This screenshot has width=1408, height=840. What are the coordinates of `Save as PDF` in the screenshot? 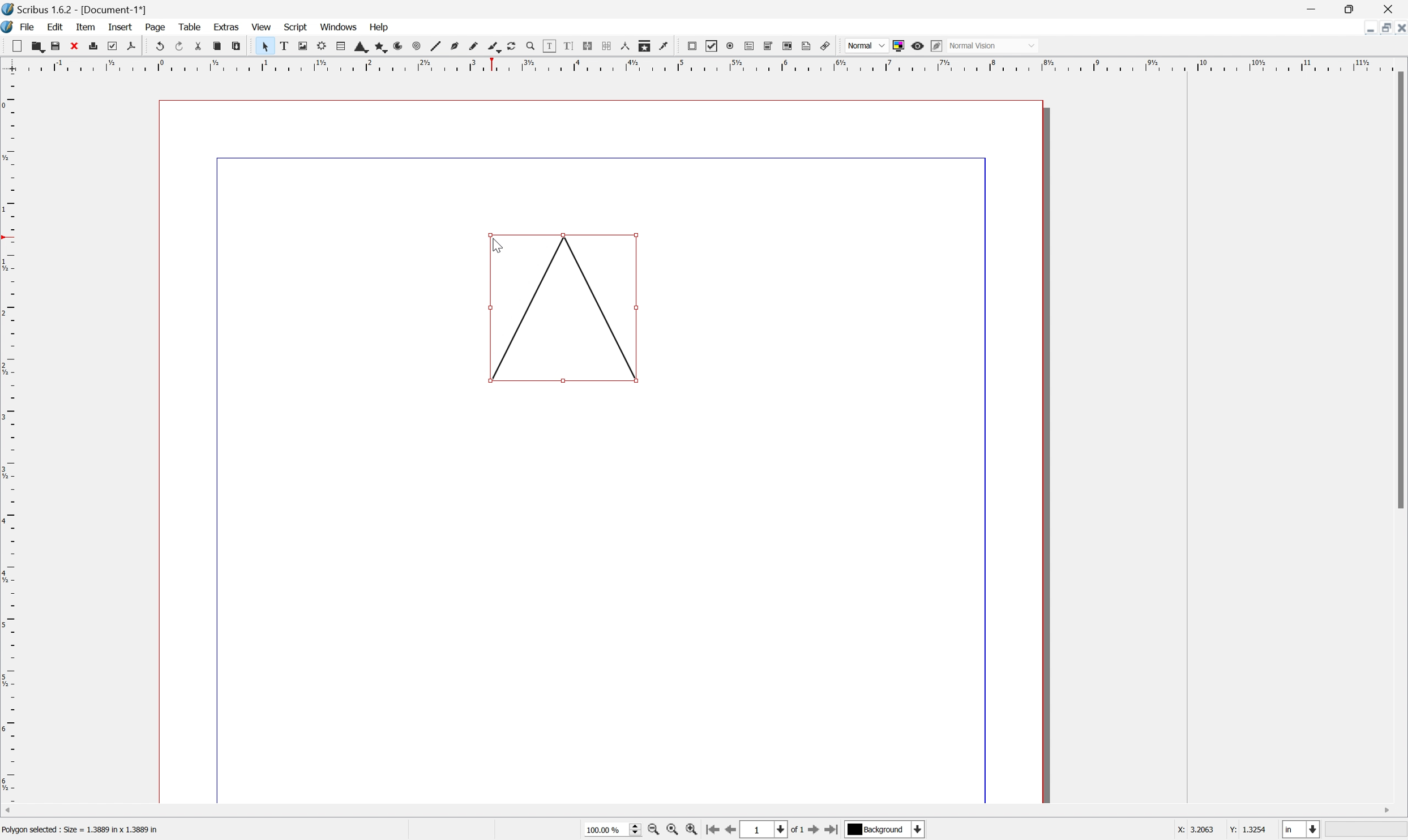 It's located at (131, 48).